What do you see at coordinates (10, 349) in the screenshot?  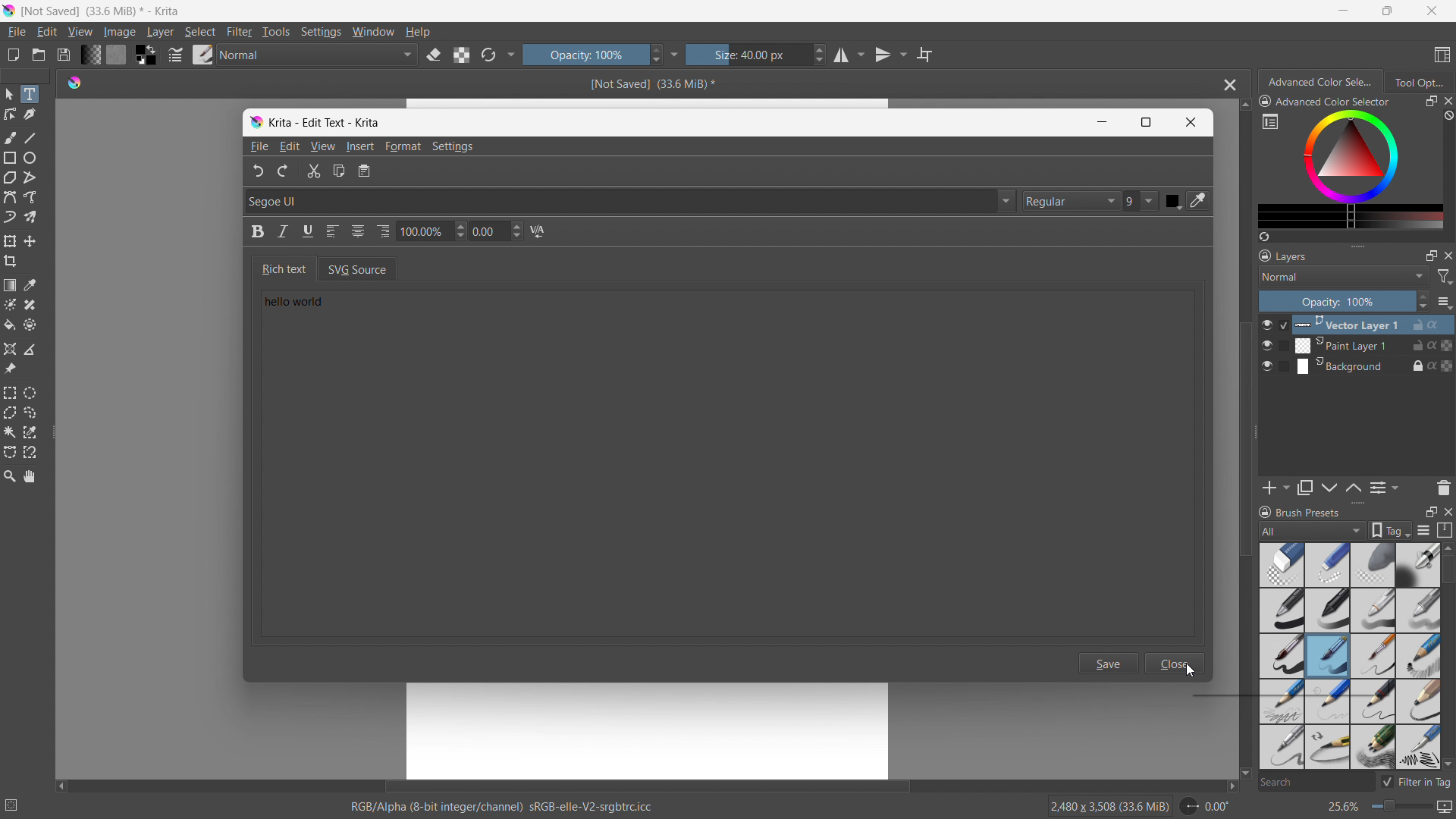 I see `assistant tool` at bounding box center [10, 349].